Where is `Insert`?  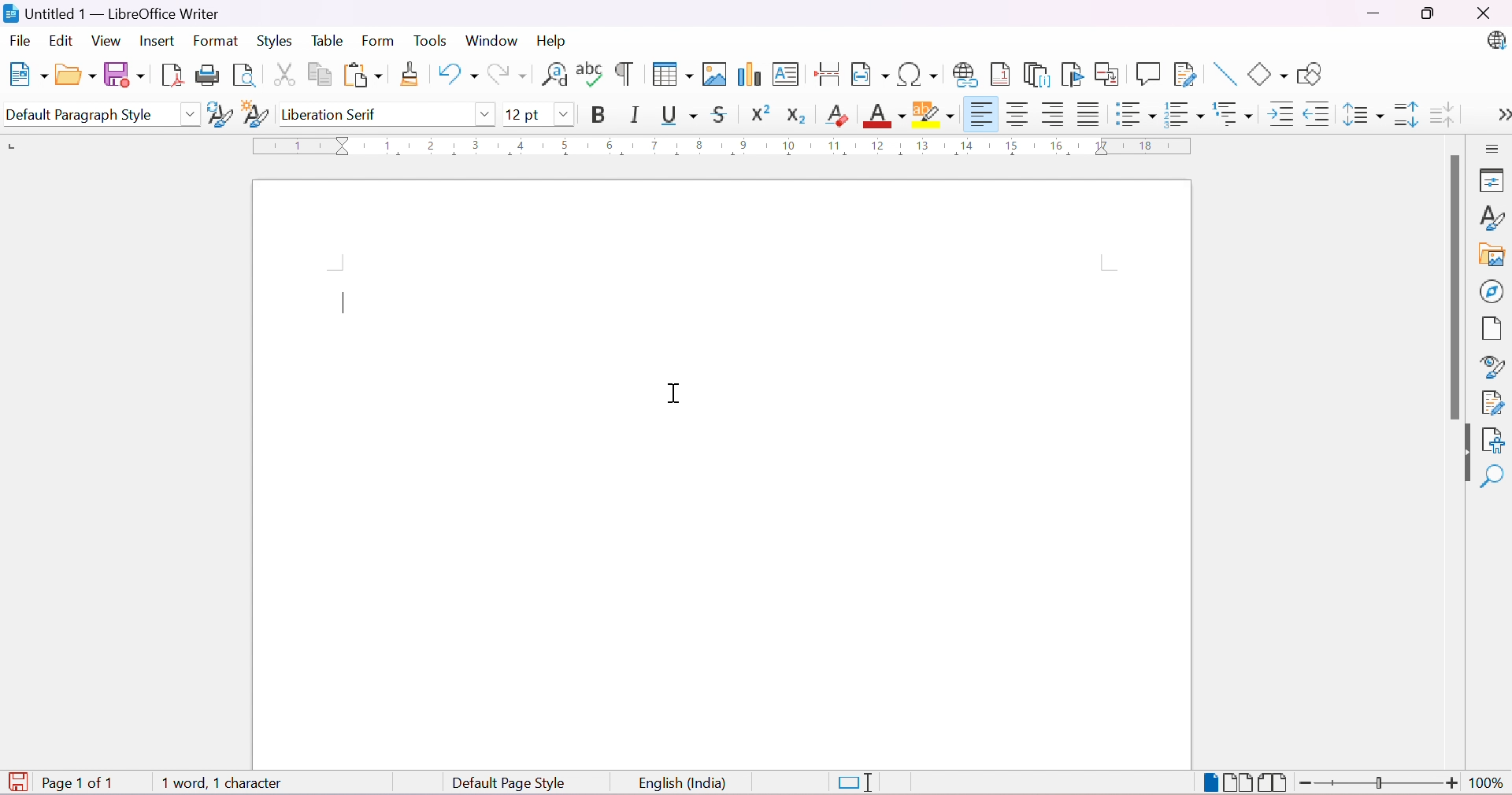
Insert is located at coordinates (159, 42).